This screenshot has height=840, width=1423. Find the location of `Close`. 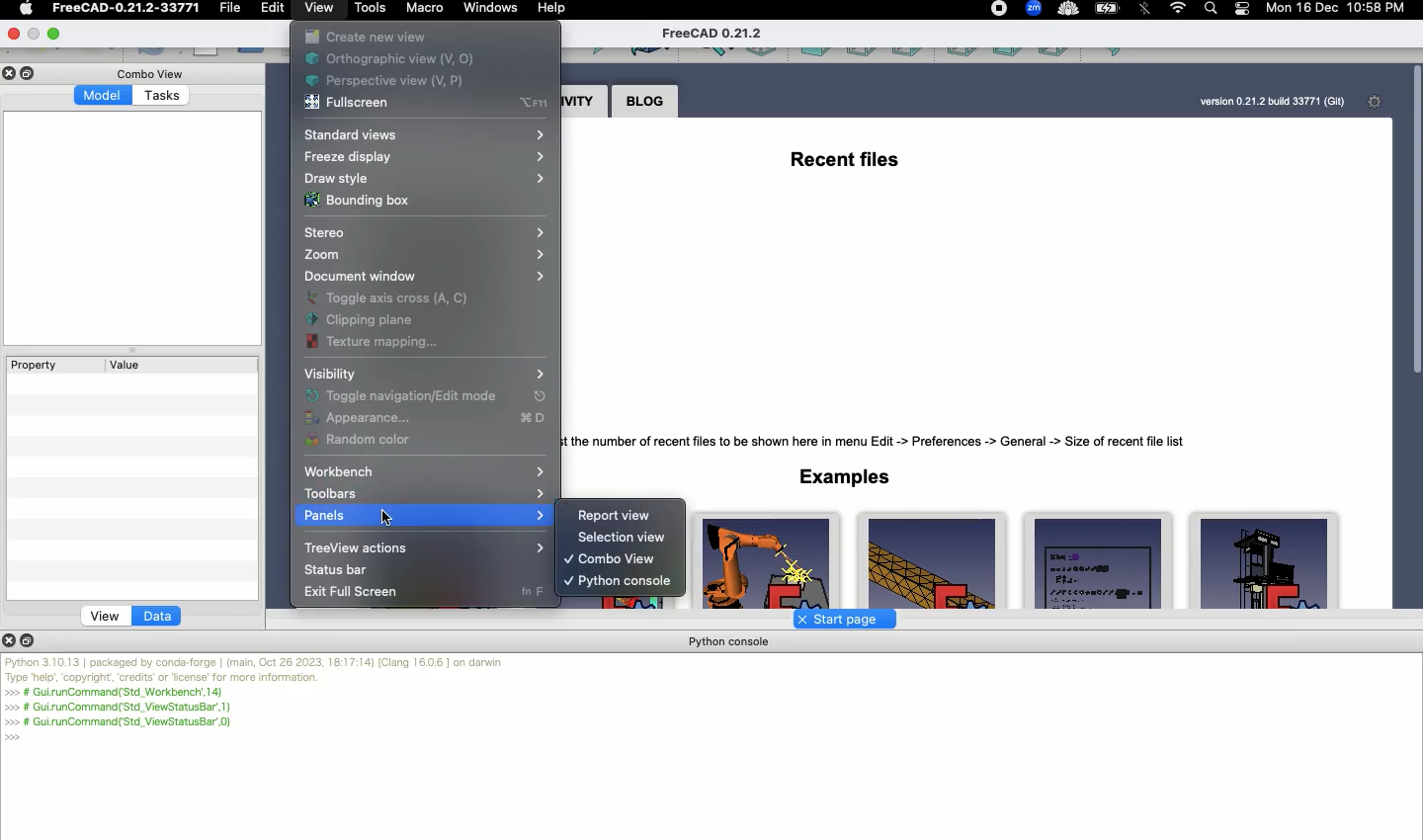

Close is located at coordinates (11, 639).